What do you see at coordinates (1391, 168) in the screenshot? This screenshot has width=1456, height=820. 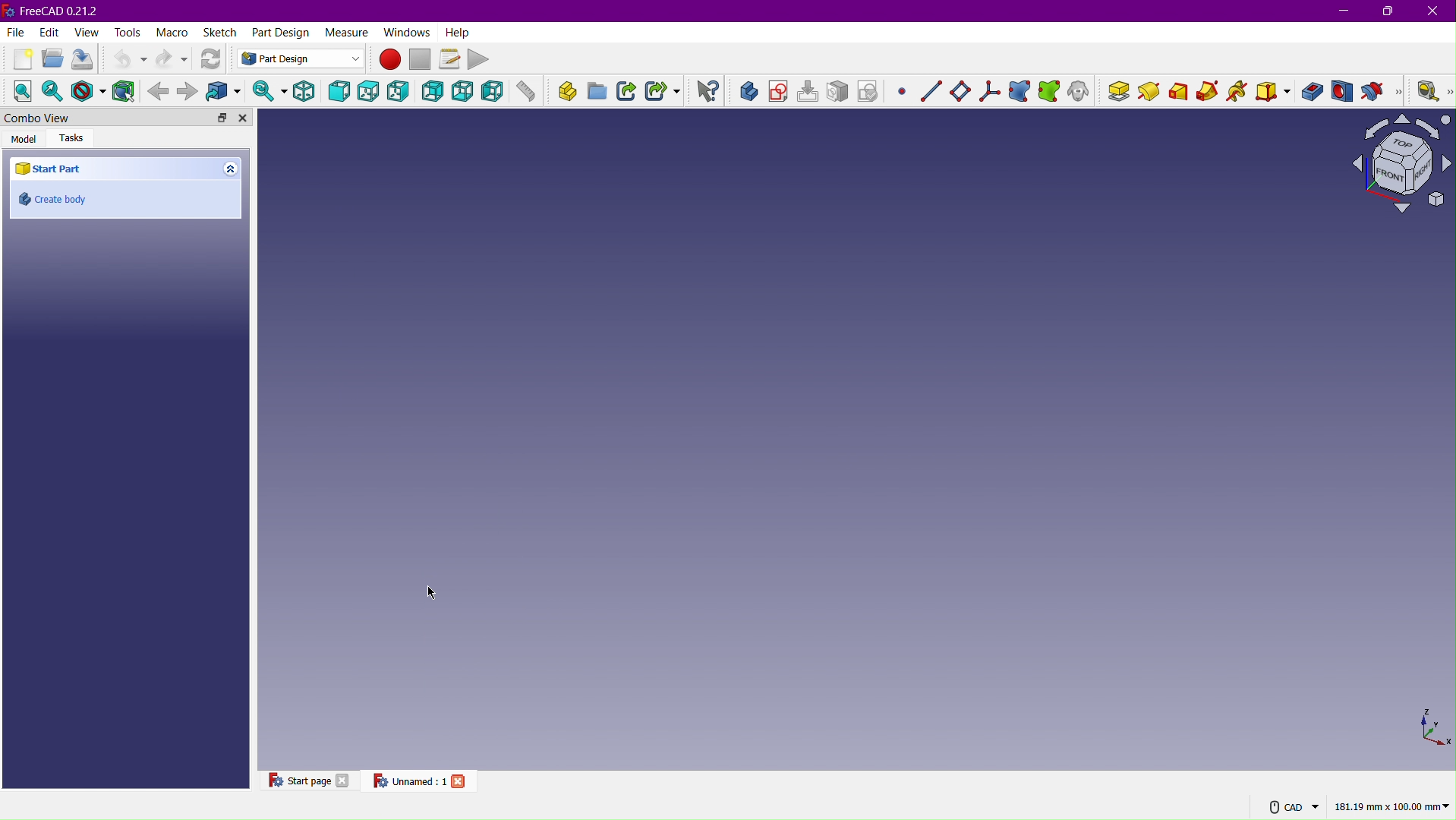 I see `Plane view` at bounding box center [1391, 168].